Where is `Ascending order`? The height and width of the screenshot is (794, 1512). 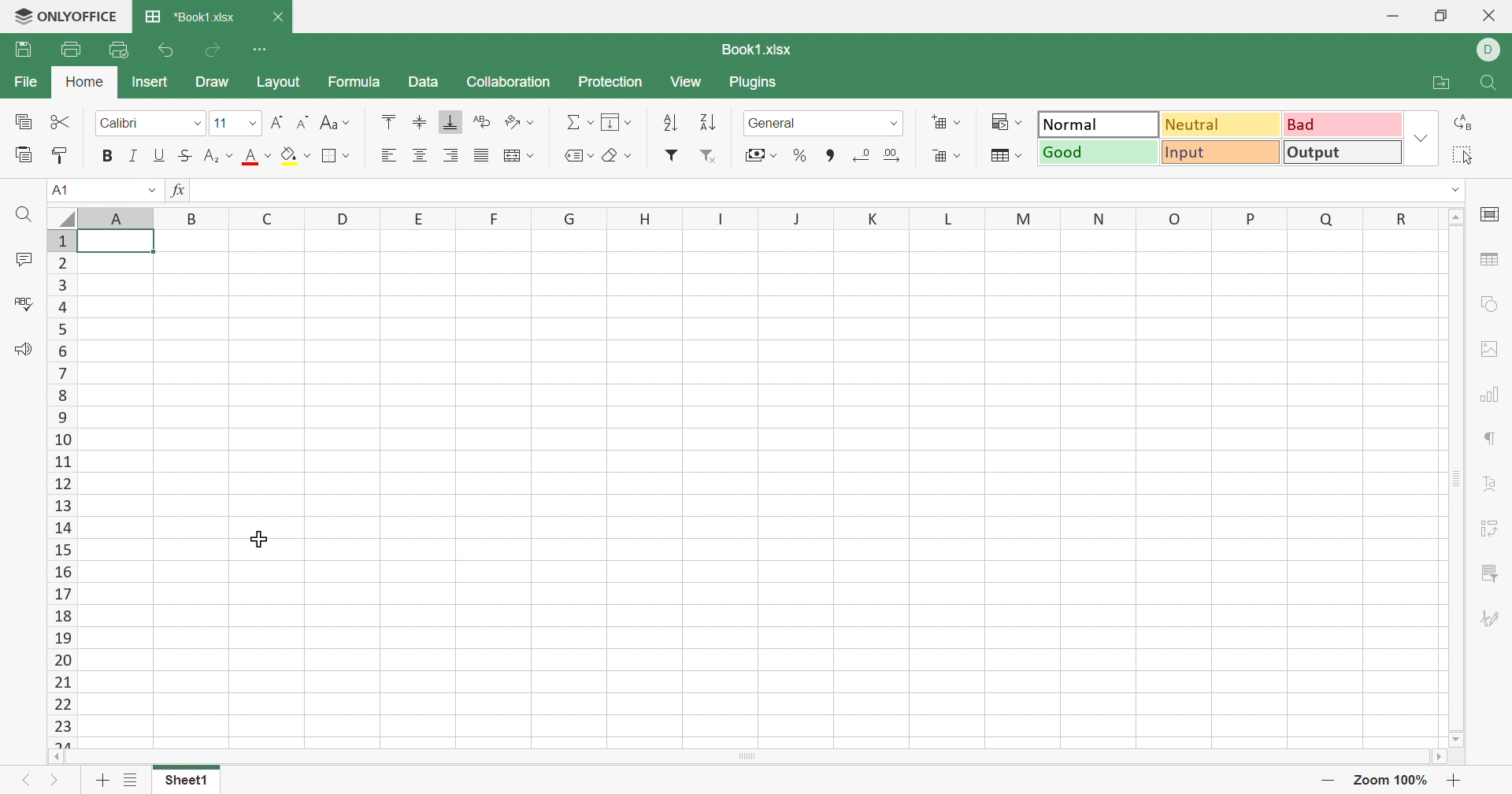 Ascending order is located at coordinates (667, 123).